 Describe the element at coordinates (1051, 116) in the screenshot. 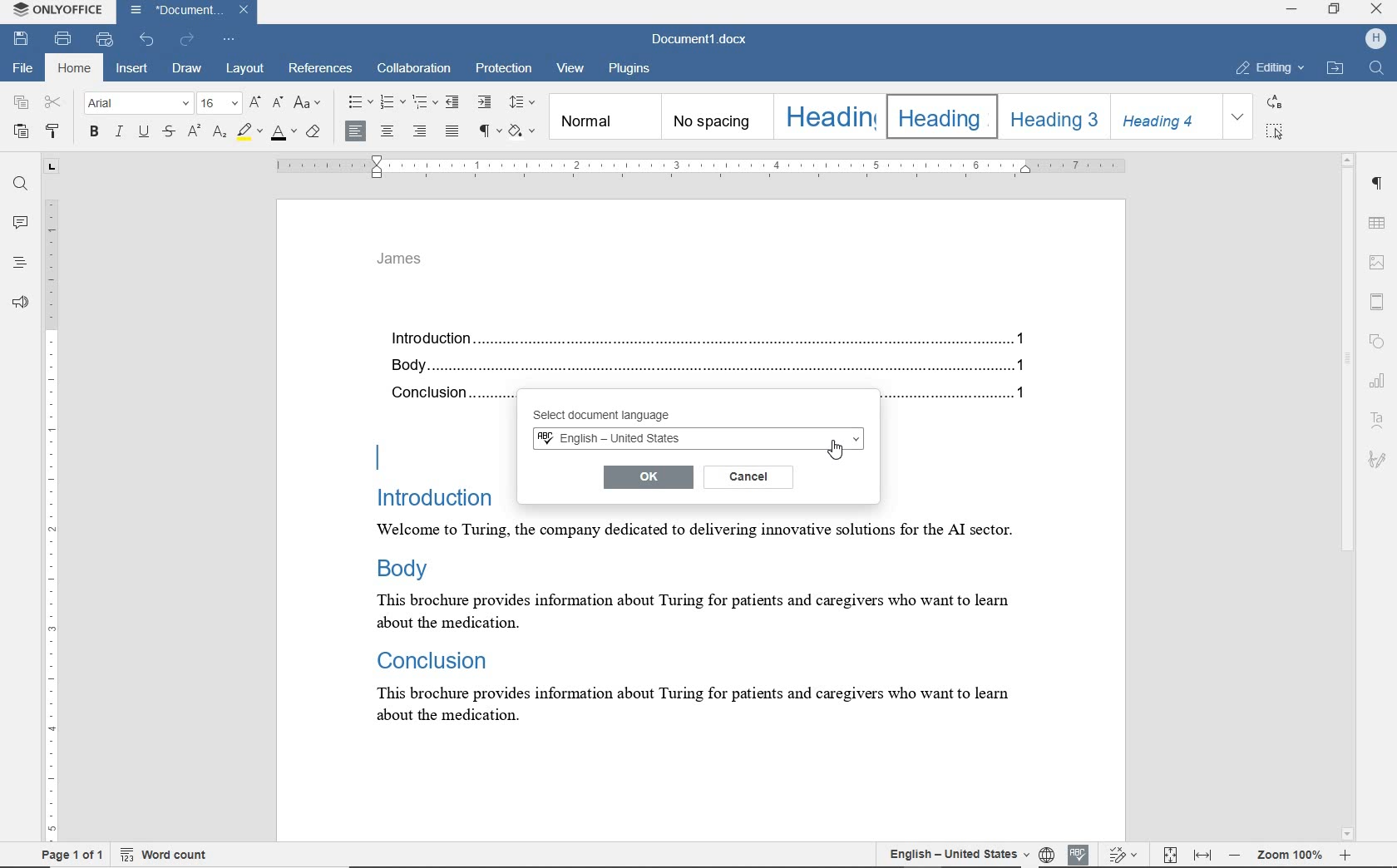

I see `Heading 3` at that location.